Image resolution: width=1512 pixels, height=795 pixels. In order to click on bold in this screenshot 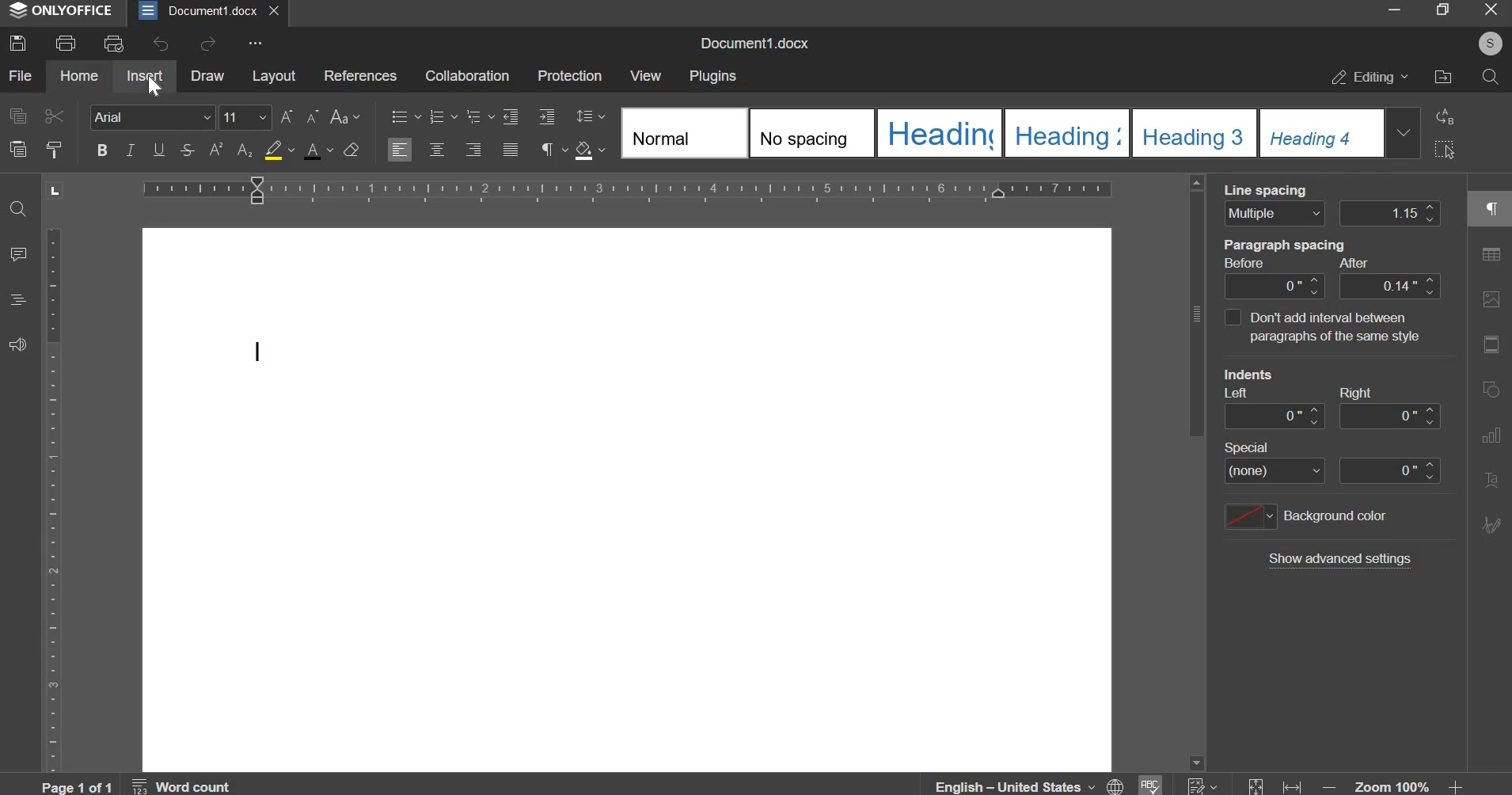, I will do `click(101, 150)`.